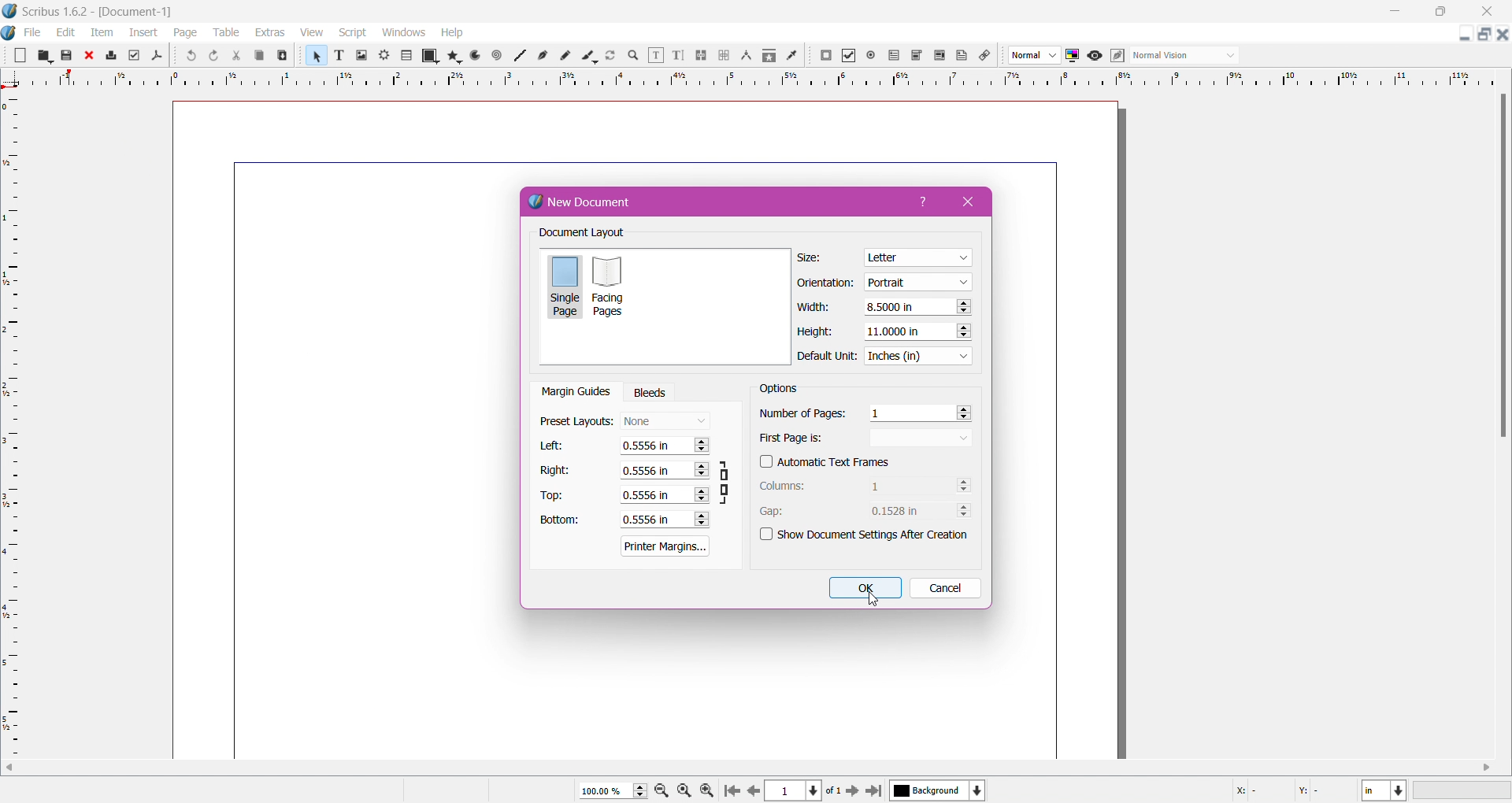 This screenshot has height=803, width=1512. I want to click on icon, so click(653, 55).